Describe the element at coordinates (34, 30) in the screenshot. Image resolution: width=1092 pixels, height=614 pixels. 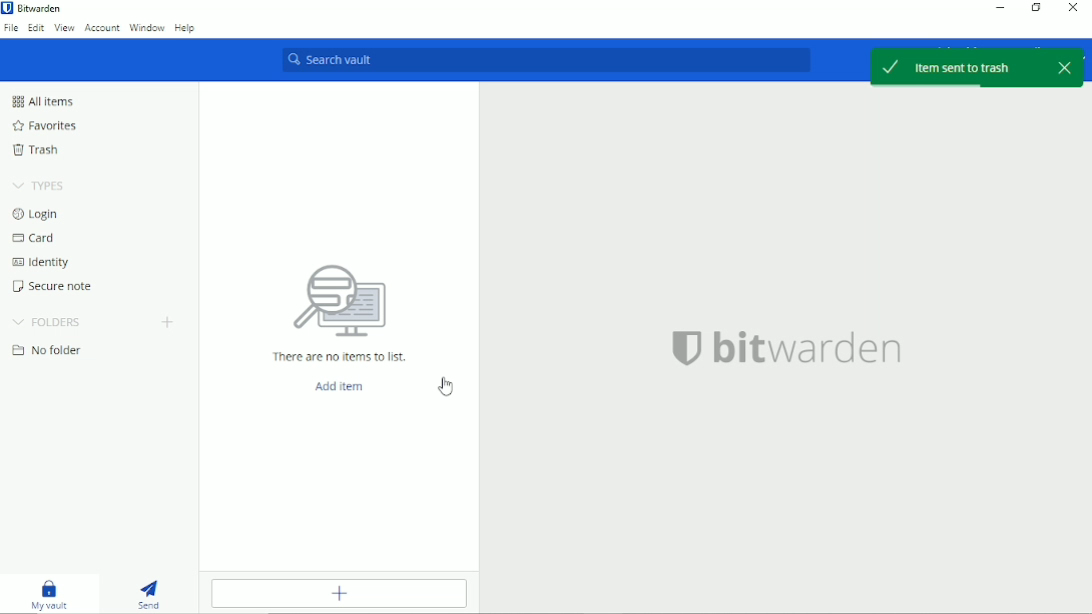
I see `Edit` at that location.